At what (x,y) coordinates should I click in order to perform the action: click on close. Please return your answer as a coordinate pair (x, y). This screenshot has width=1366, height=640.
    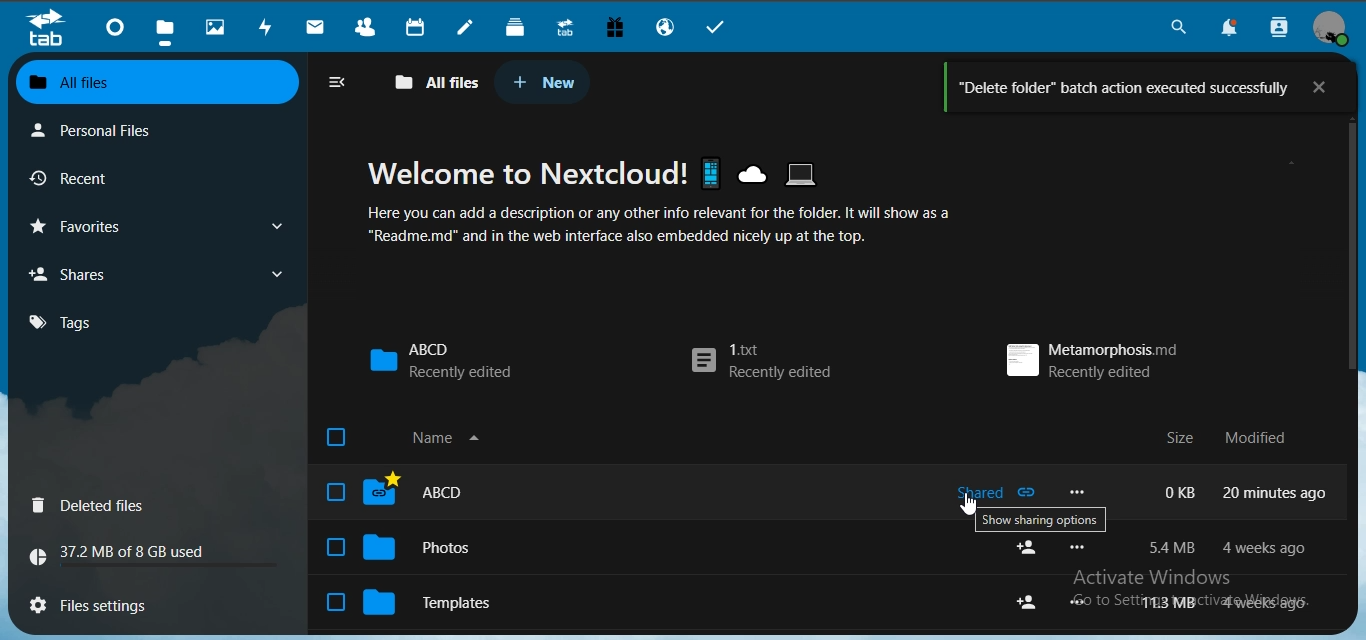
    Looking at the image, I should click on (1334, 86).